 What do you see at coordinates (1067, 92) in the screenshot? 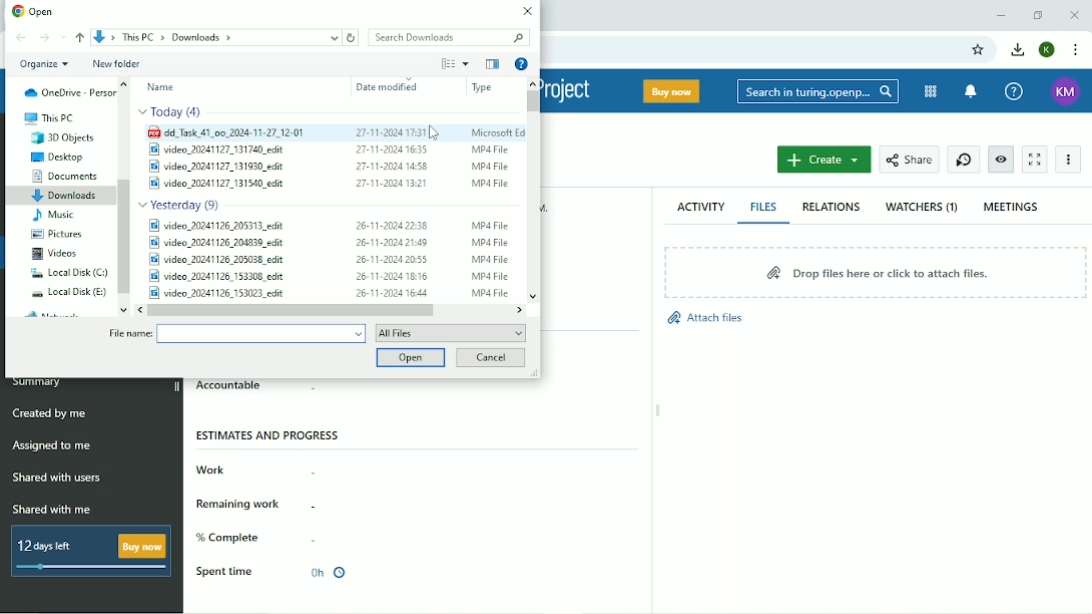
I see `KM` at bounding box center [1067, 92].